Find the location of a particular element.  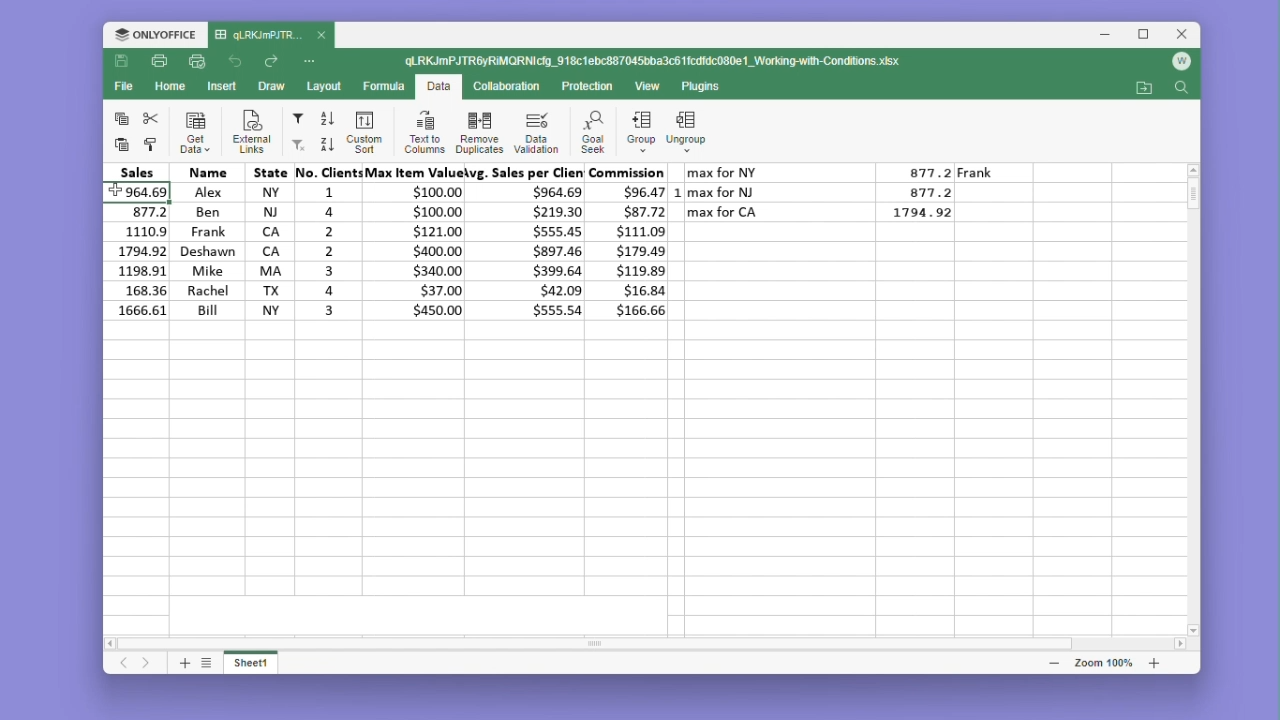

Goal seek is located at coordinates (591, 132).